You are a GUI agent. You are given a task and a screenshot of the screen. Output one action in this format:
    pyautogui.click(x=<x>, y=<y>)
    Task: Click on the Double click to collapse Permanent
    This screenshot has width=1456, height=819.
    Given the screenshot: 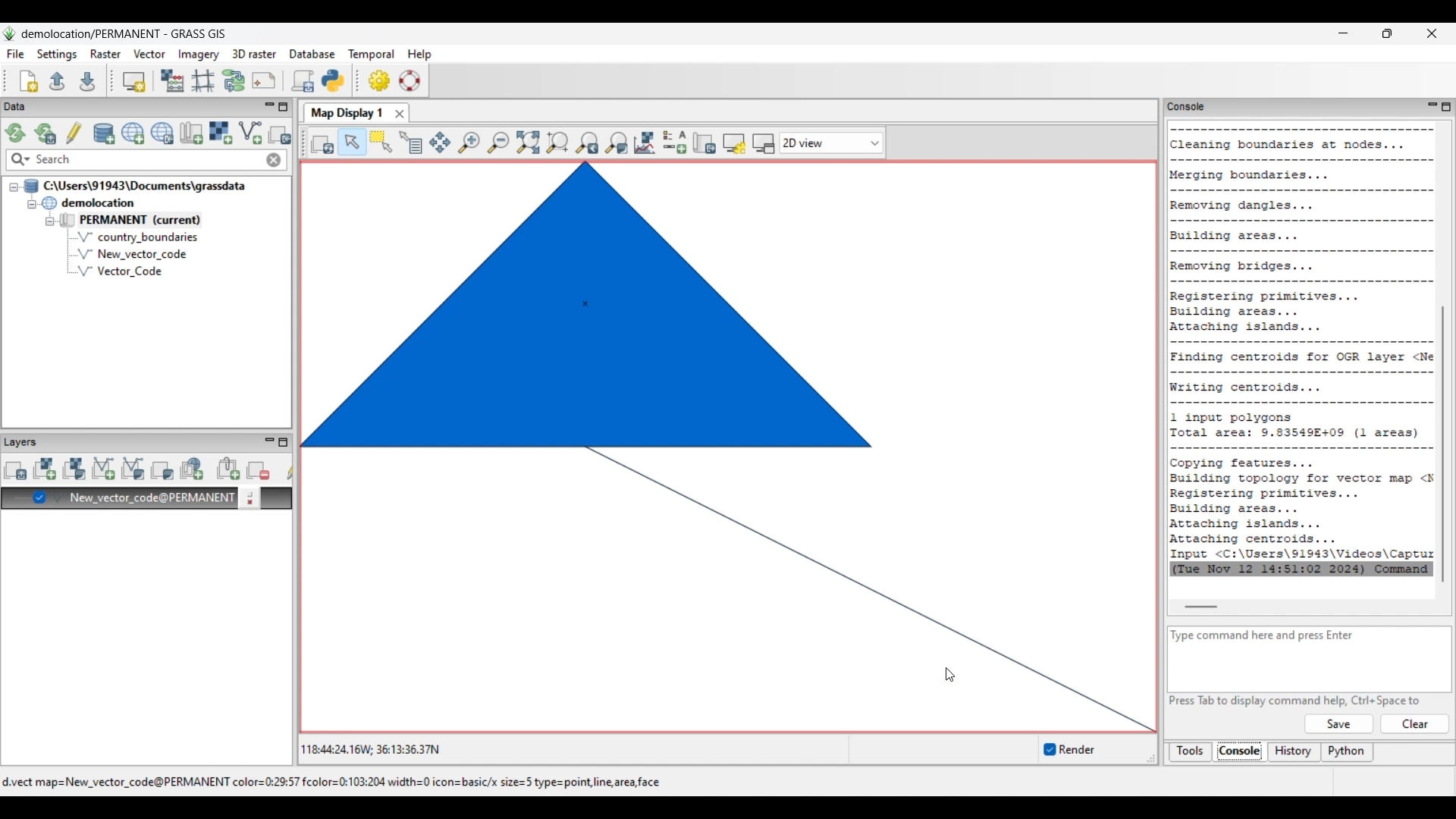 What is the action you would take?
    pyautogui.click(x=151, y=221)
    